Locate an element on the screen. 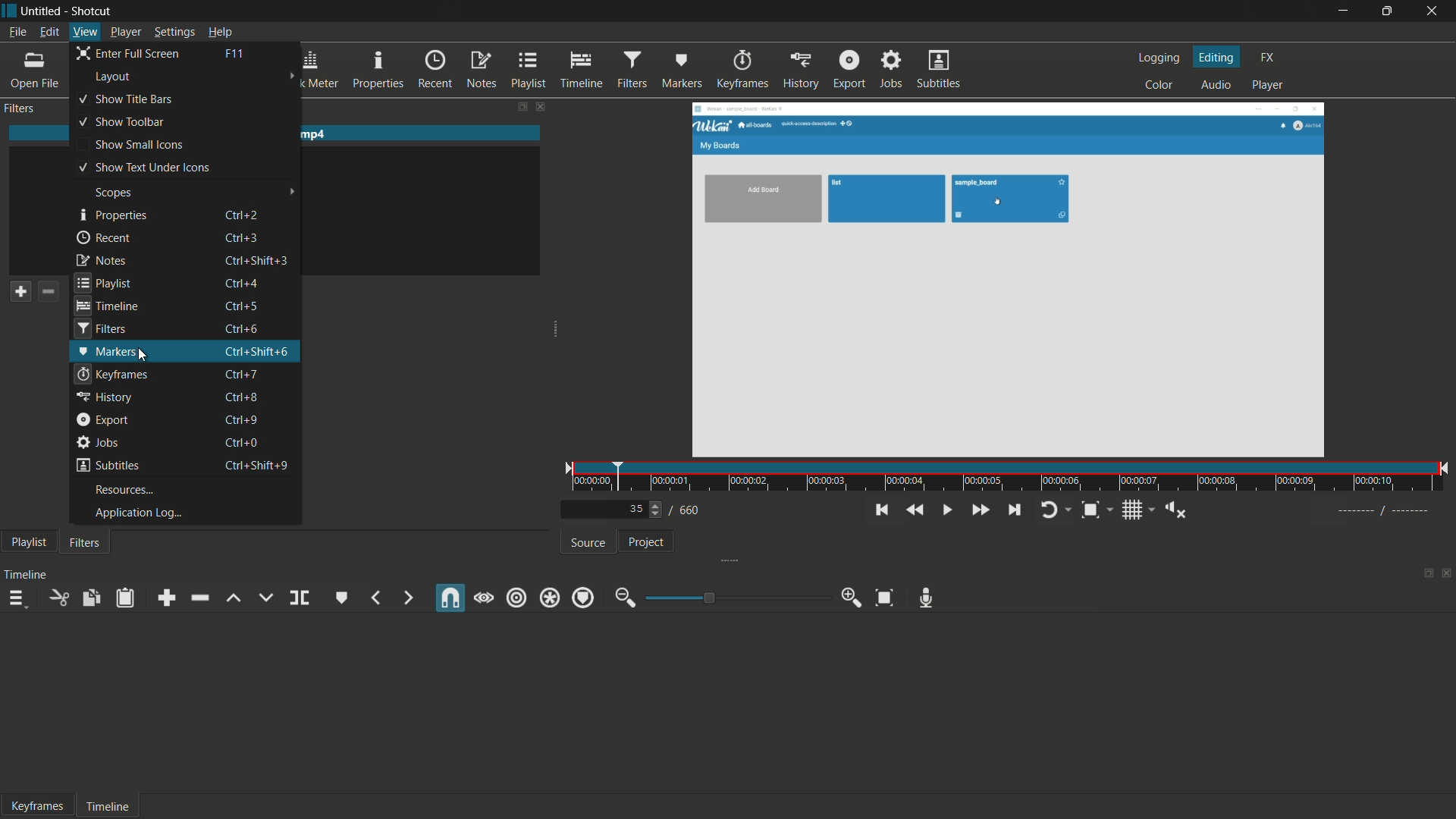  toggle grid is located at coordinates (1134, 512).